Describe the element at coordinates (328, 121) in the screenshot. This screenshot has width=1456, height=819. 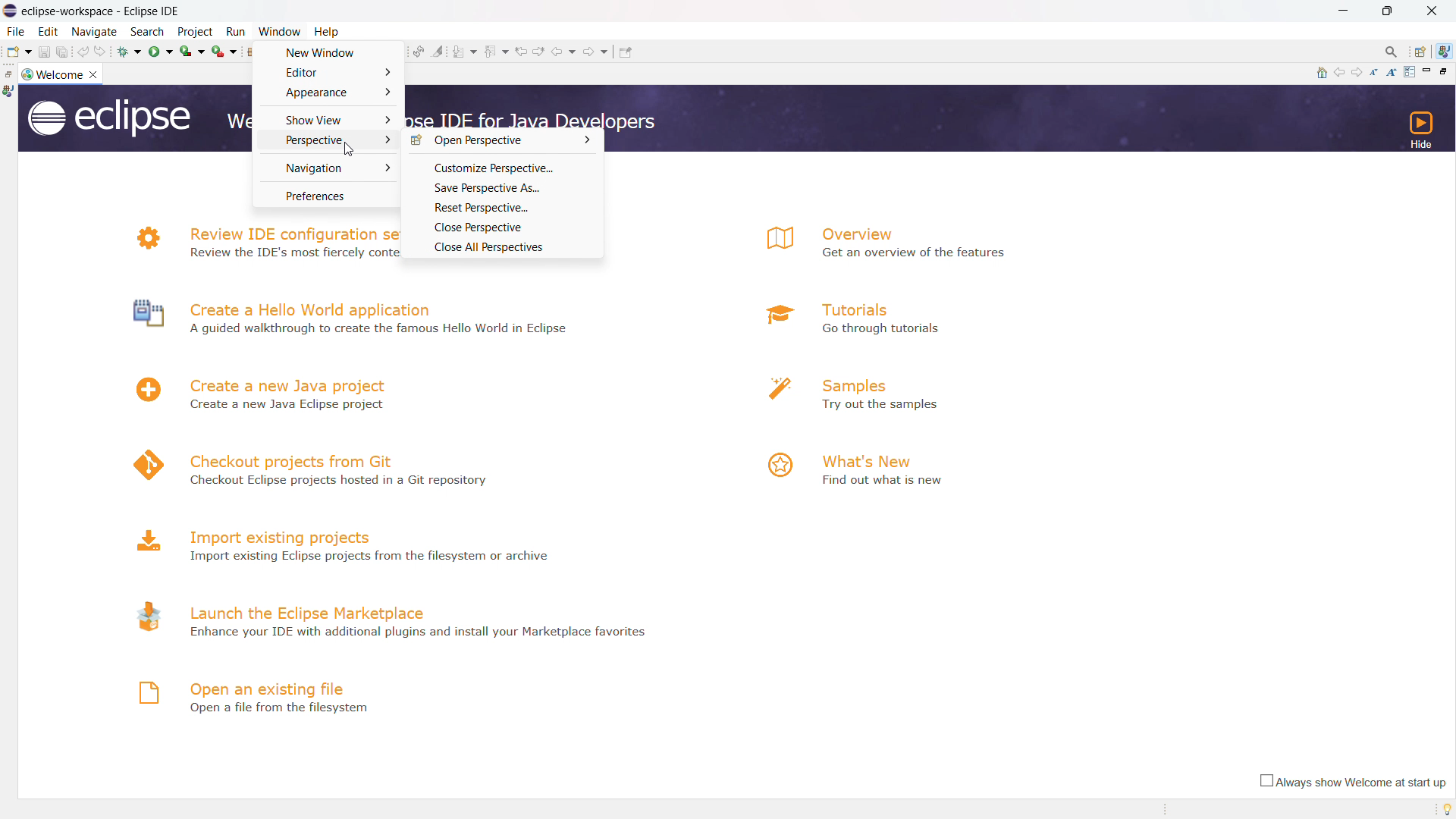
I see `show view` at that location.